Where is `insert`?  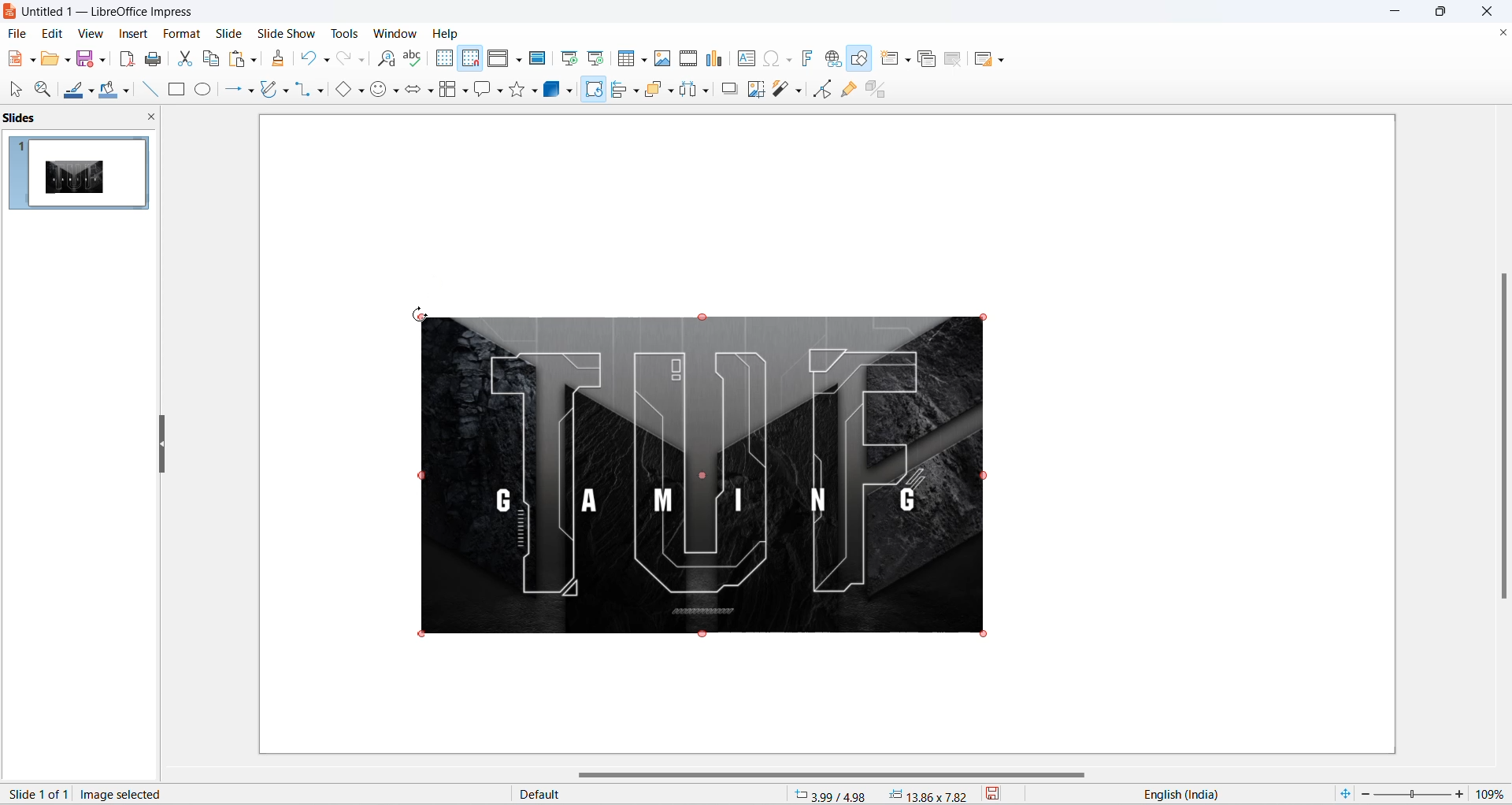
insert is located at coordinates (132, 35).